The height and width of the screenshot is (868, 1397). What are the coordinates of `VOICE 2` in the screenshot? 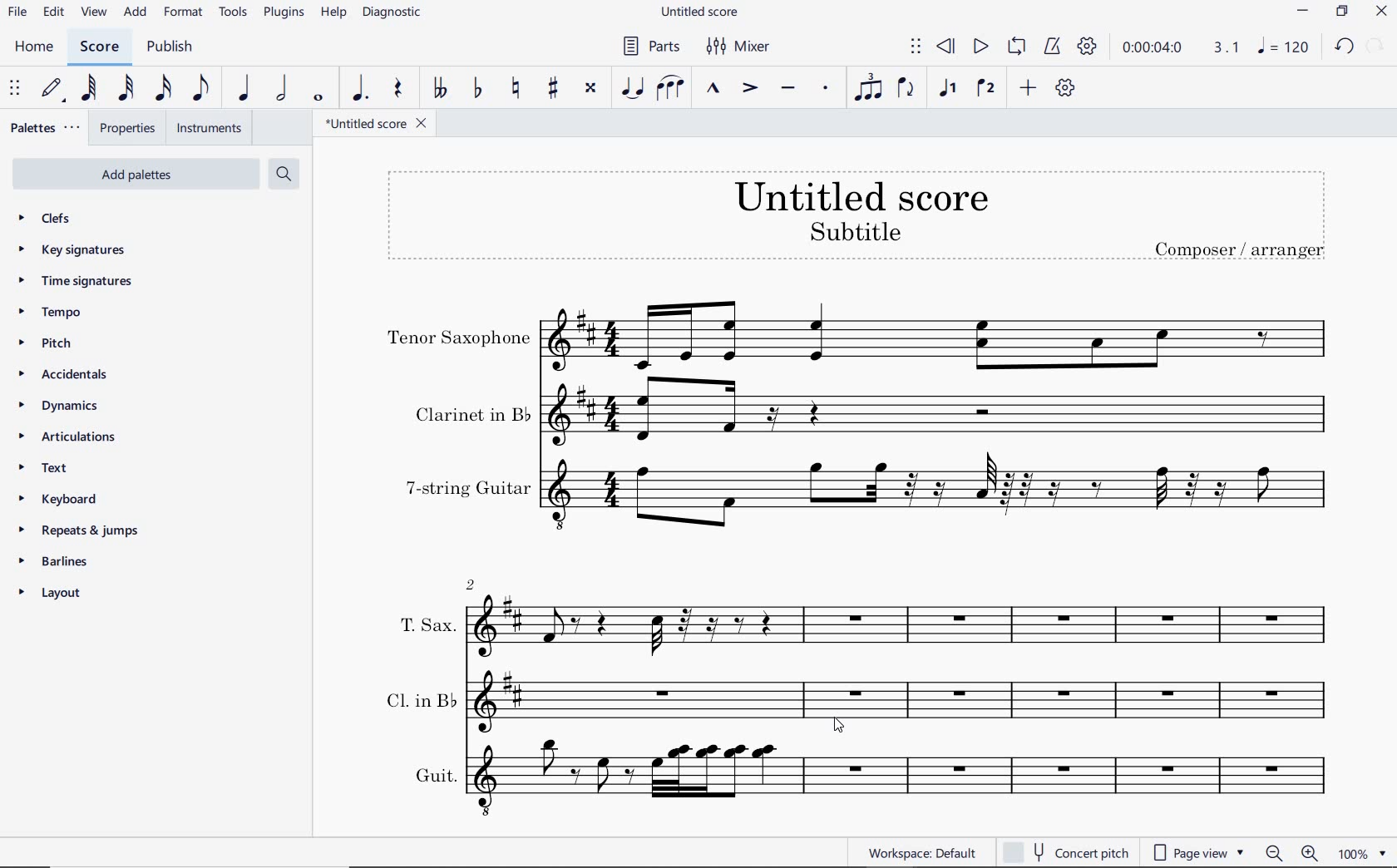 It's located at (987, 88).